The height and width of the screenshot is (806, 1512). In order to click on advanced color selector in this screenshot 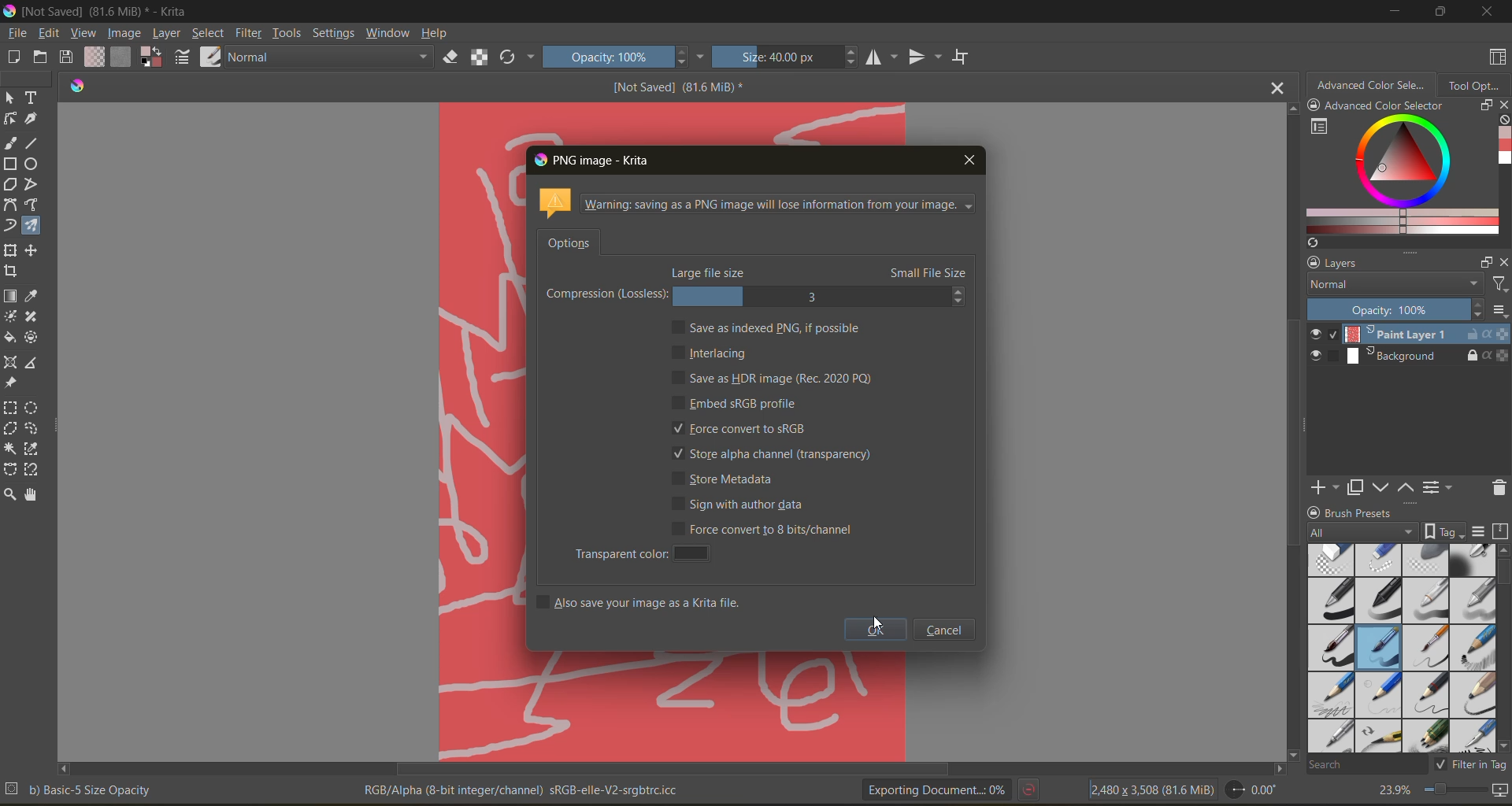, I will do `click(1397, 176)`.